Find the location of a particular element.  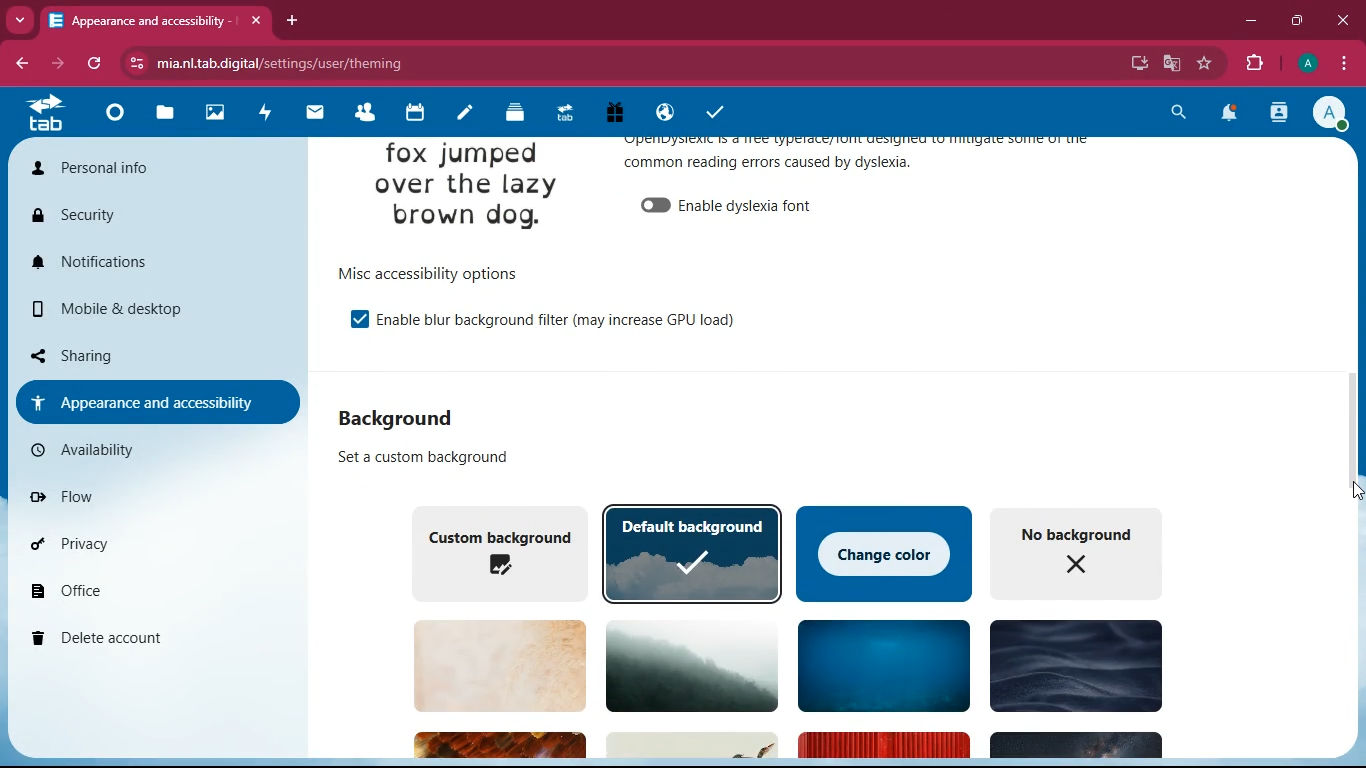

background is located at coordinates (879, 665).